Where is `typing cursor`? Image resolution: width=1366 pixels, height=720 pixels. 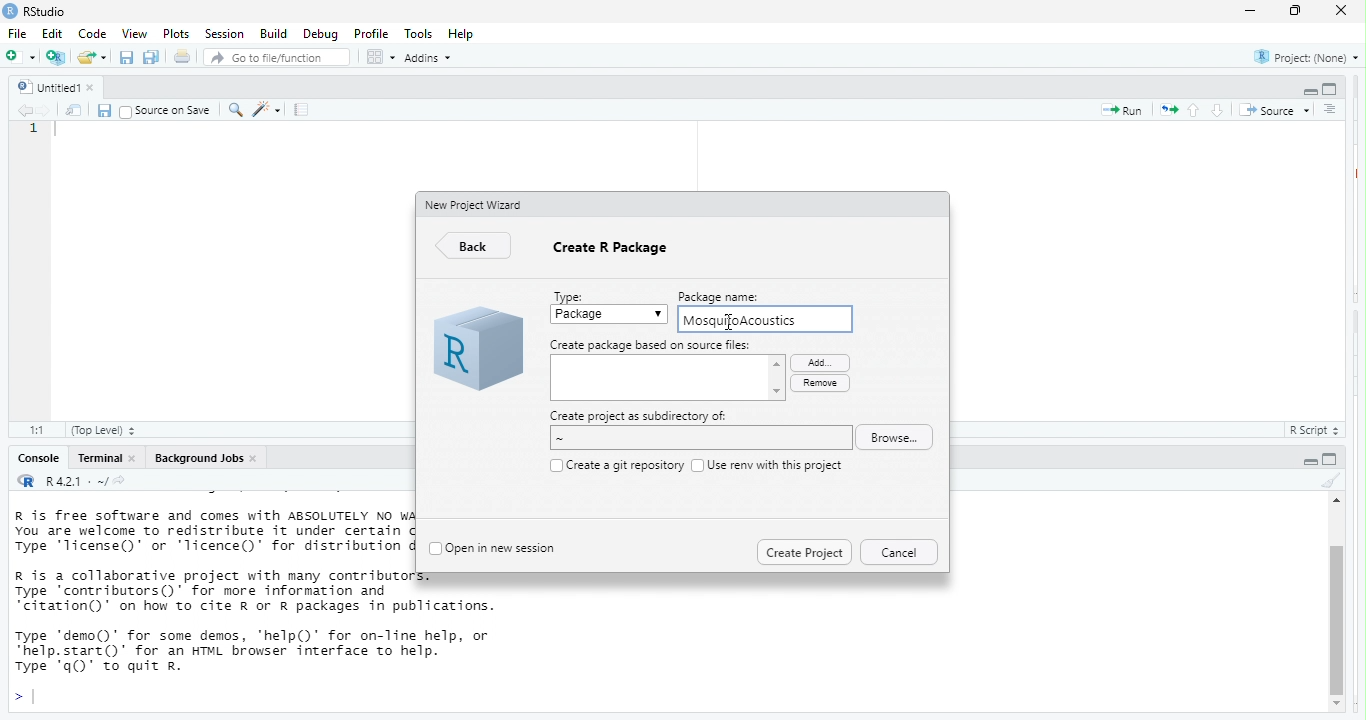
typing cursor is located at coordinates (26, 697).